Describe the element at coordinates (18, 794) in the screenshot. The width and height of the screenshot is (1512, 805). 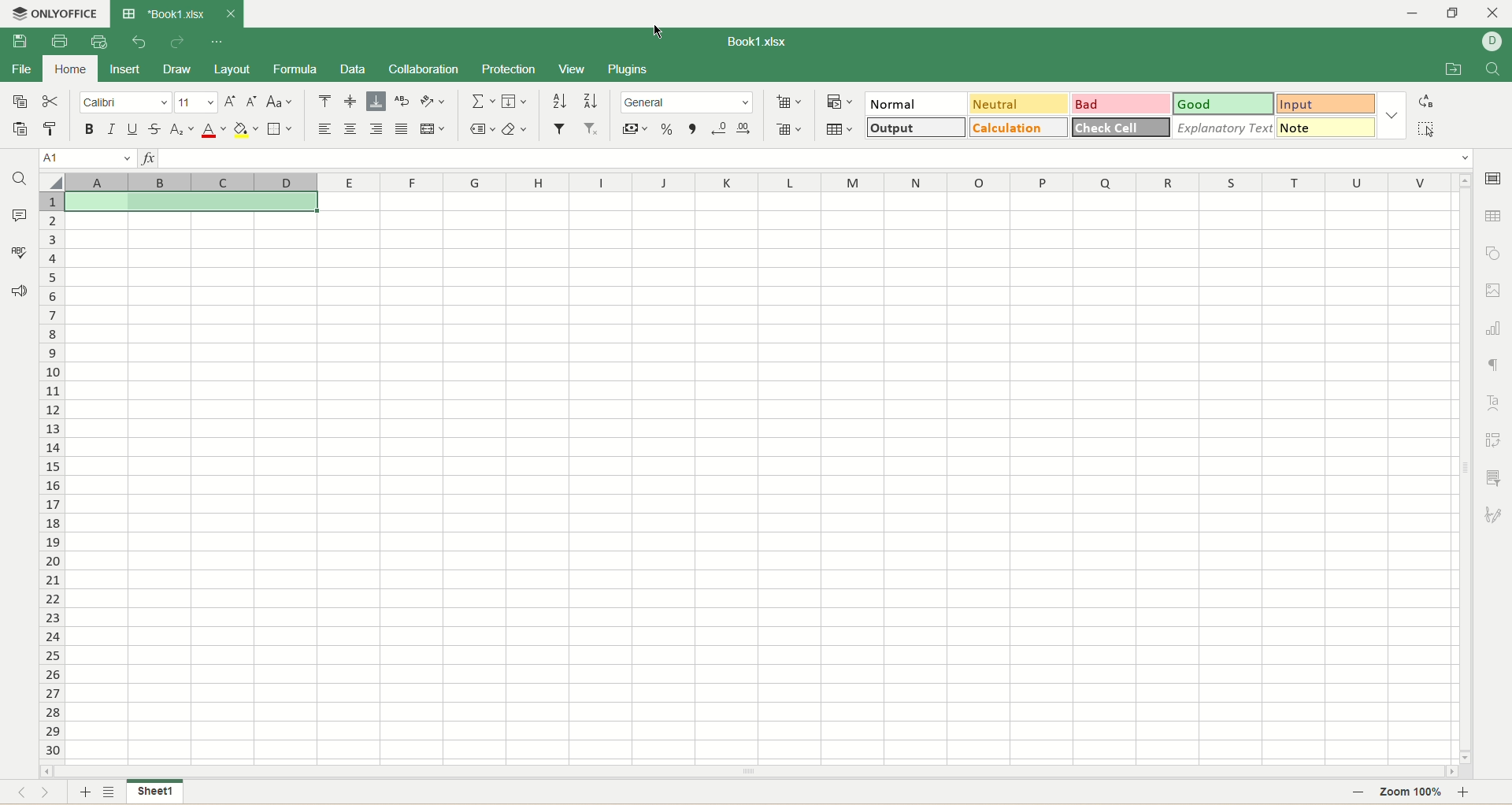
I see `previous` at that location.